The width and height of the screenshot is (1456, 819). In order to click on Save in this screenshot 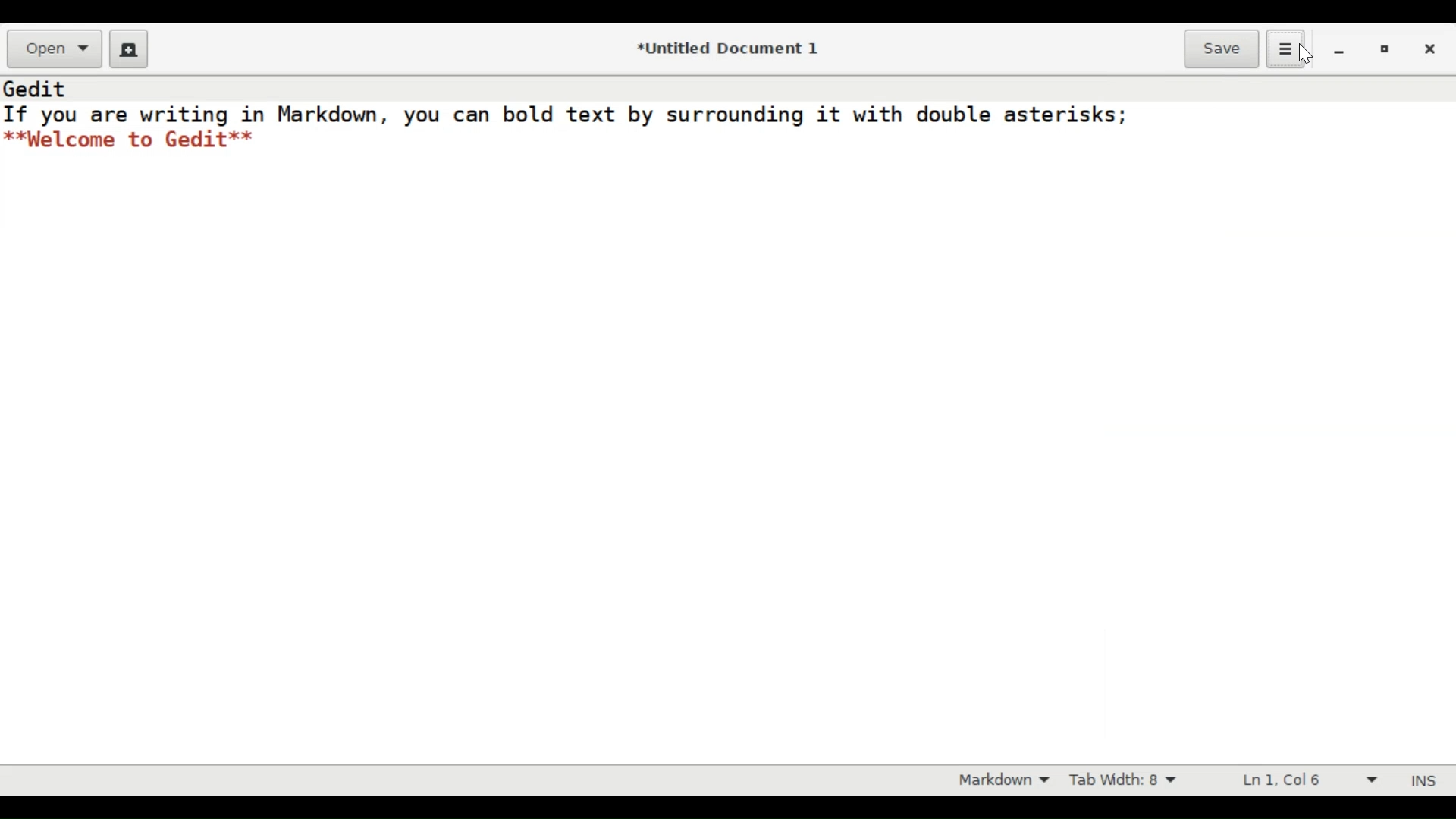, I will do `click(1222, 49)`.